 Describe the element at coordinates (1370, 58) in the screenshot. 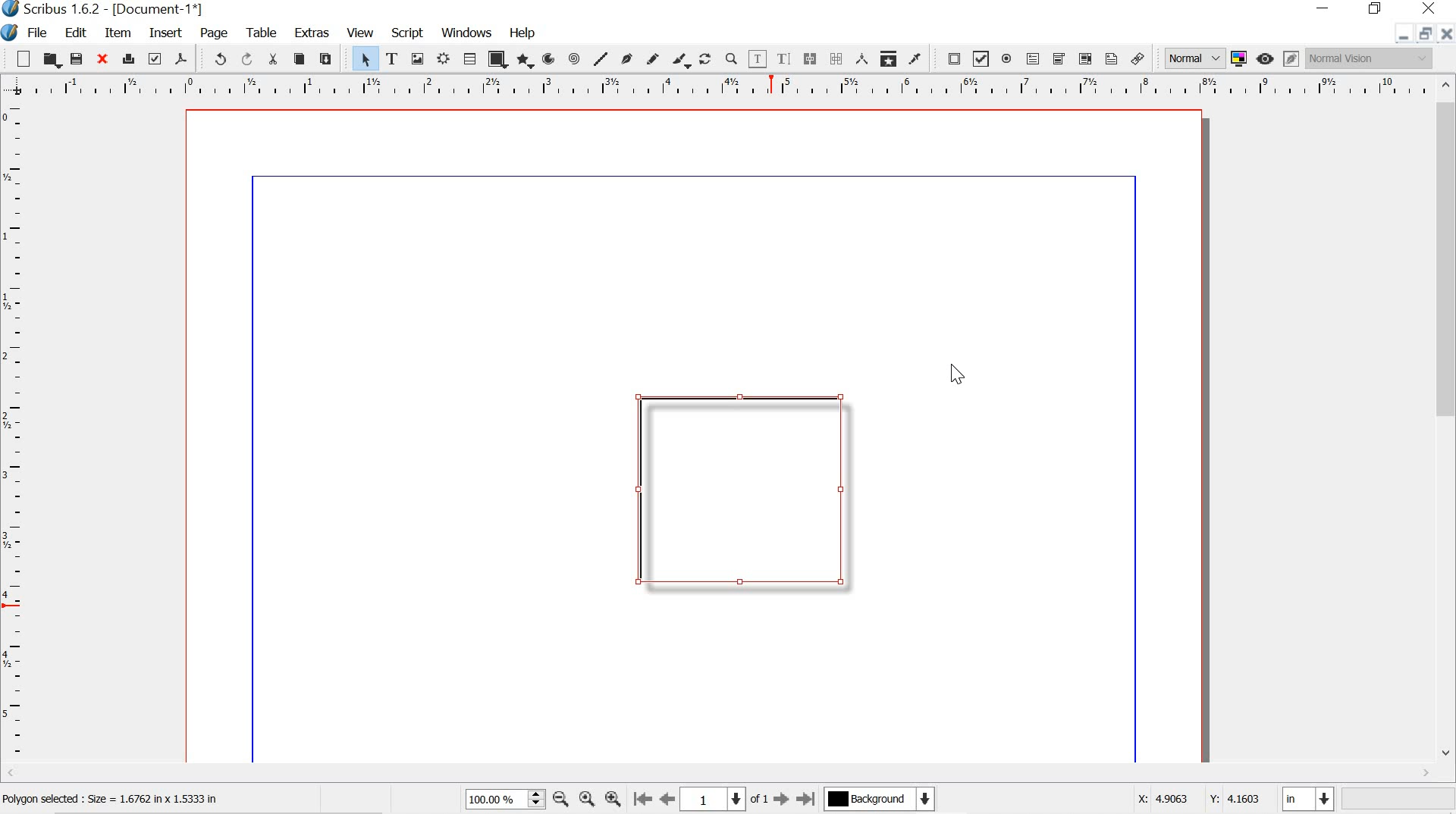

I see `normal vision` at that location.